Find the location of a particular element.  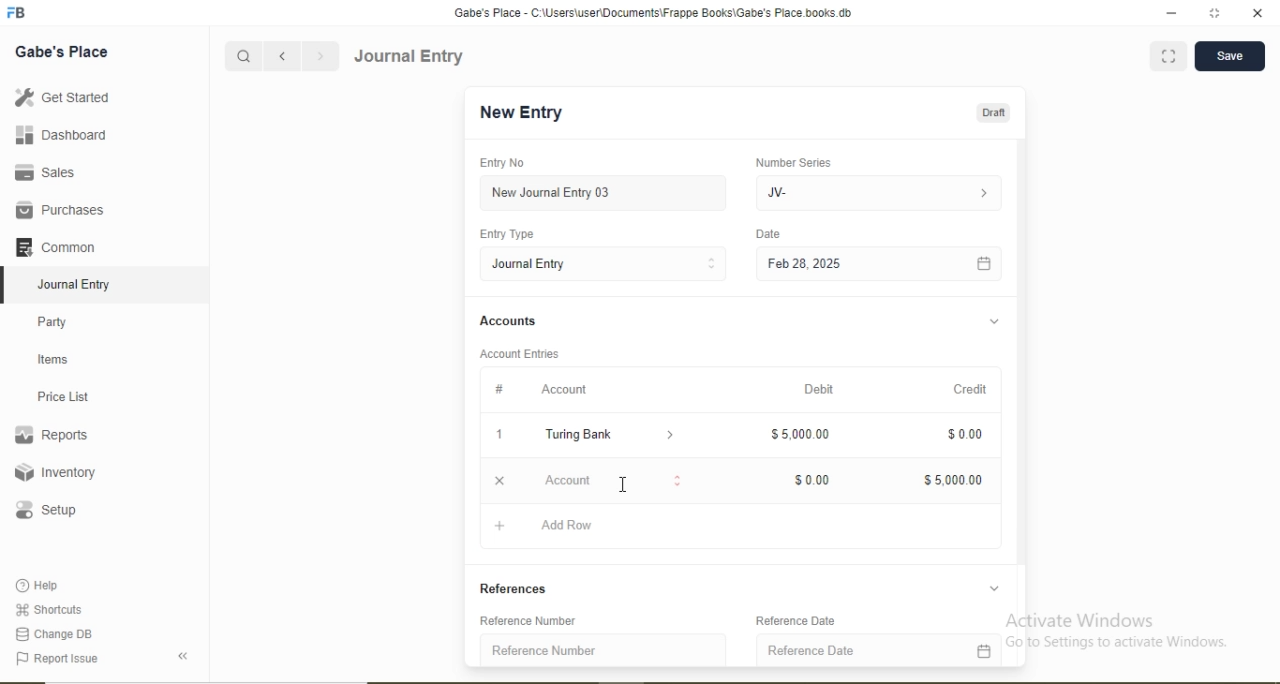

Turing Bank is located at coordinates (582, 434).